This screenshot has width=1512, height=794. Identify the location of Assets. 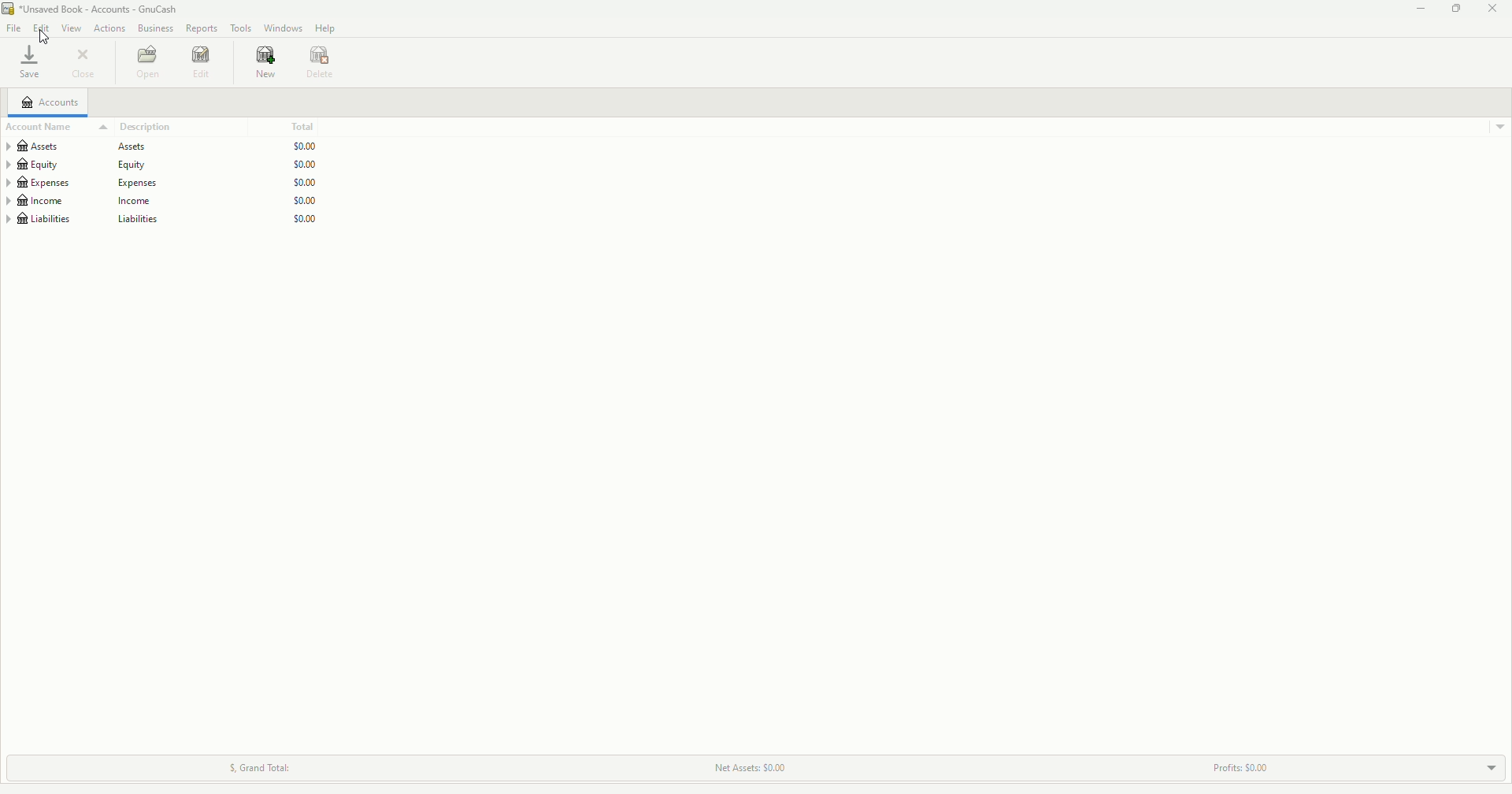
(165, 147).